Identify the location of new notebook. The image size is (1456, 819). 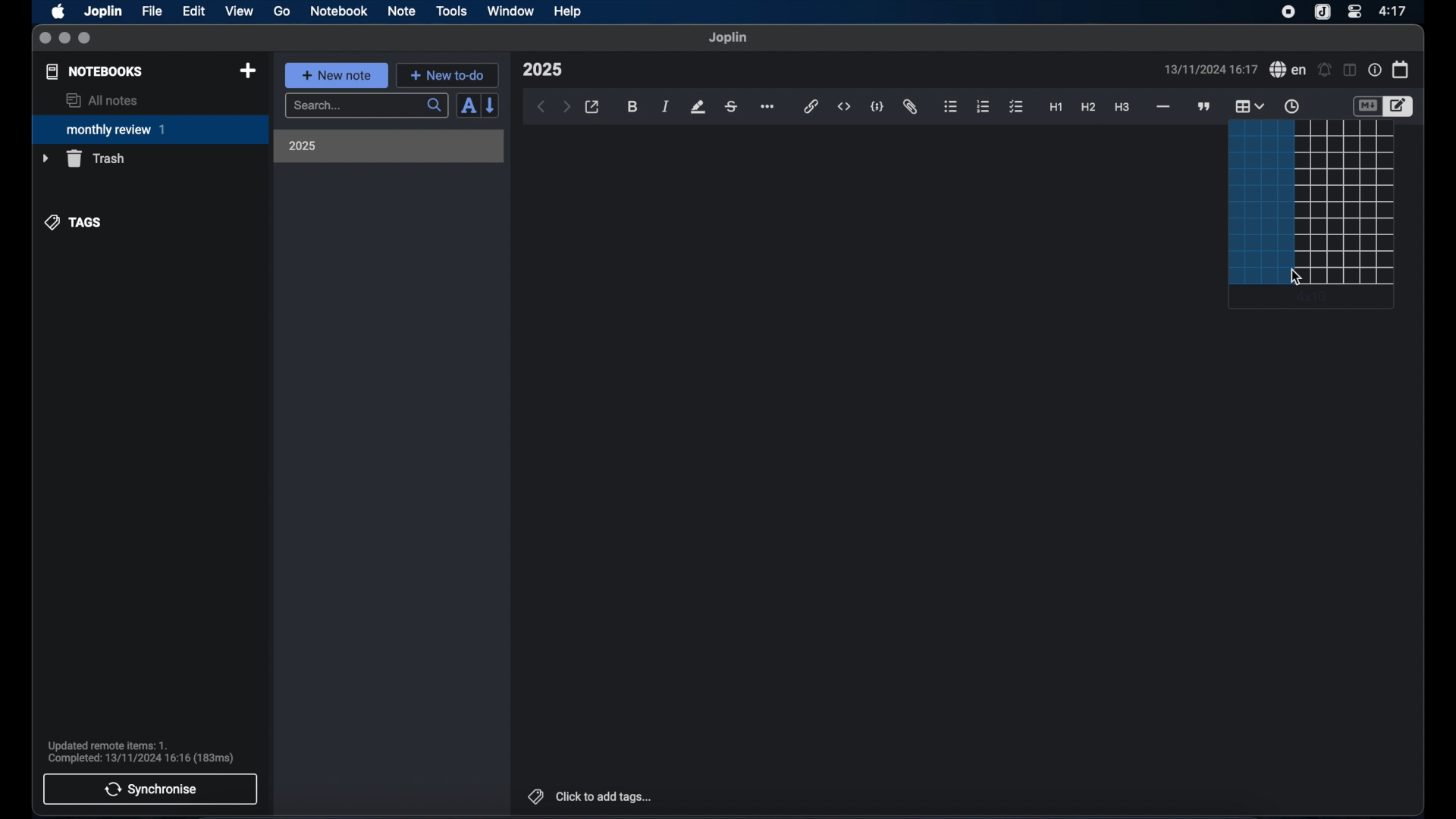
(247, 71).